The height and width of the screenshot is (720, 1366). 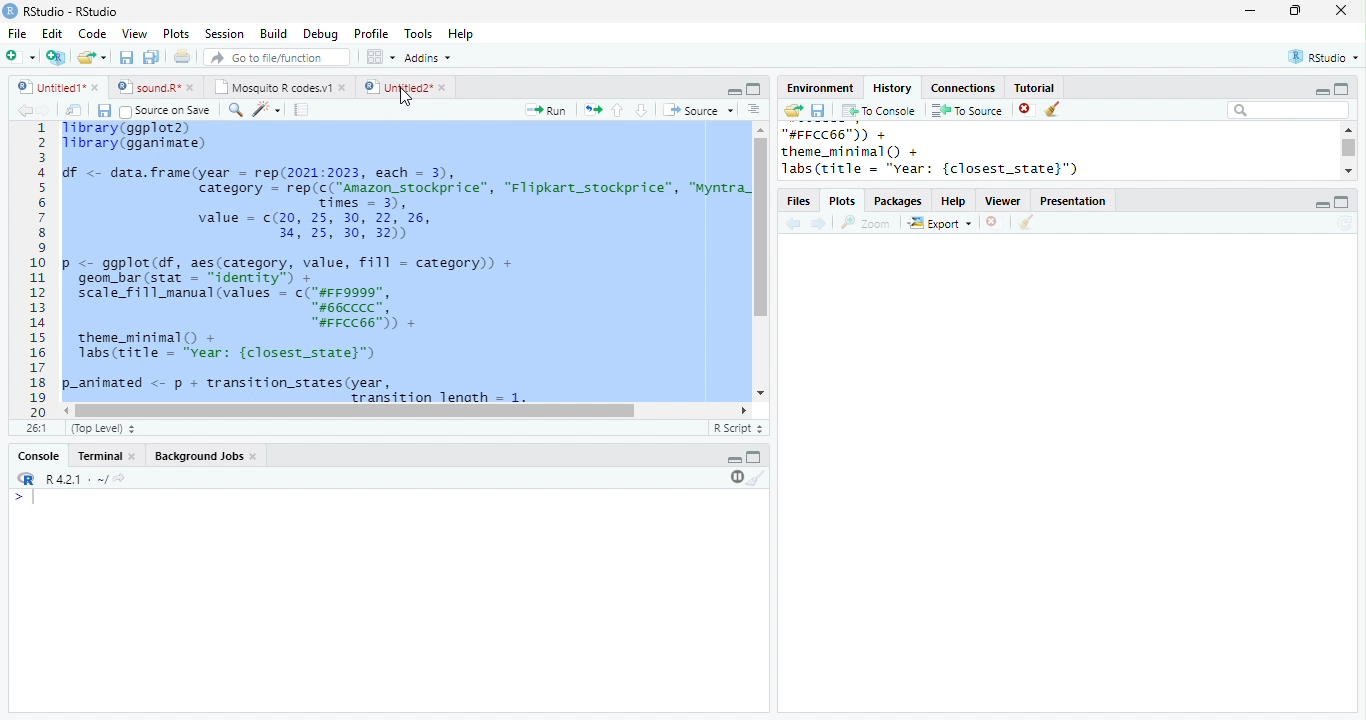 What do you see at coordinates (68, 411) in the screenshot?
I see `scroll right` at bounding box center [68, 411].